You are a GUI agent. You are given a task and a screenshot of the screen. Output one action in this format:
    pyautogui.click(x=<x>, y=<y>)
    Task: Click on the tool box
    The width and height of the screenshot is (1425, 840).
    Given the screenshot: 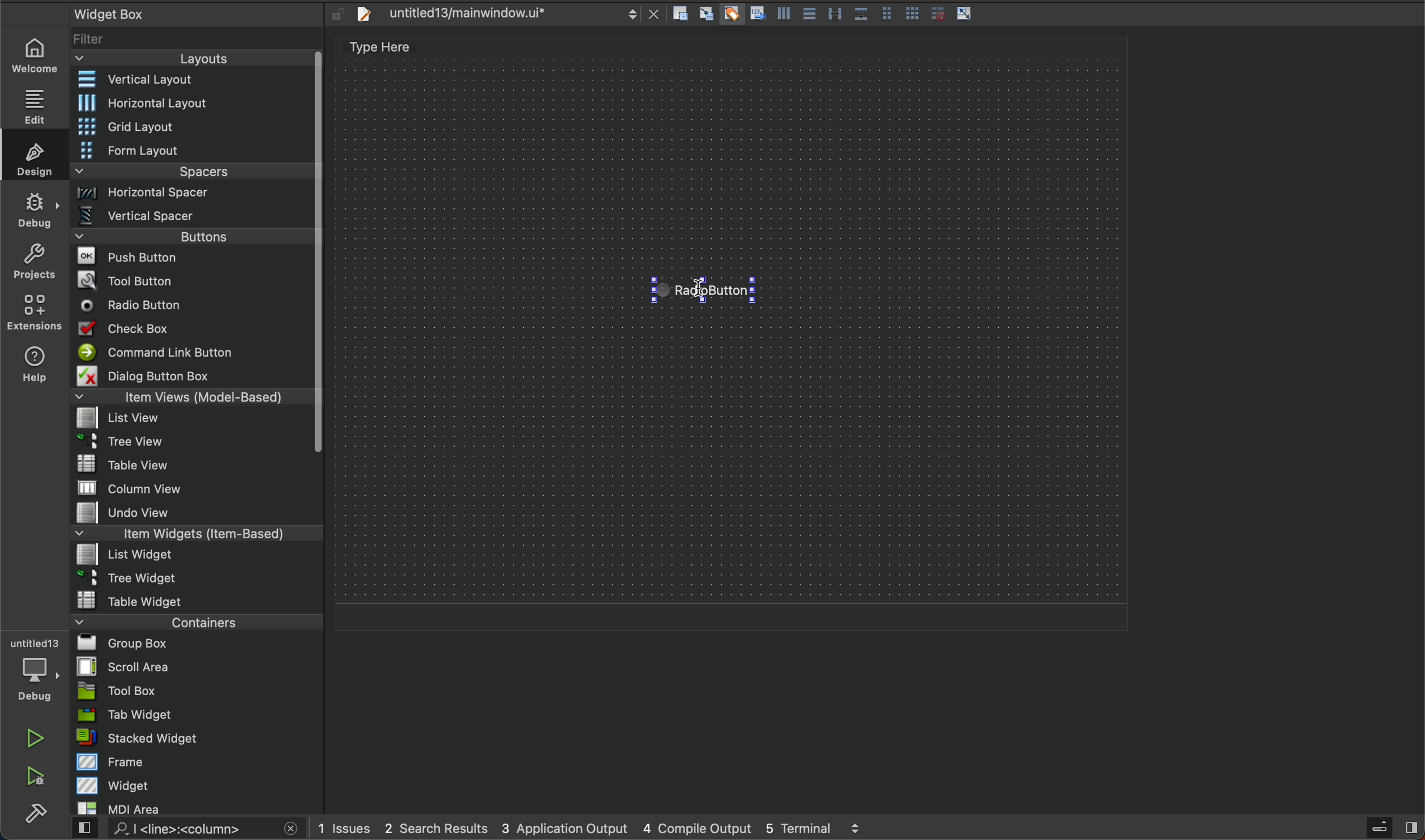 What is the action you would take?
    pyautogui.click(x=197, y=691)
    